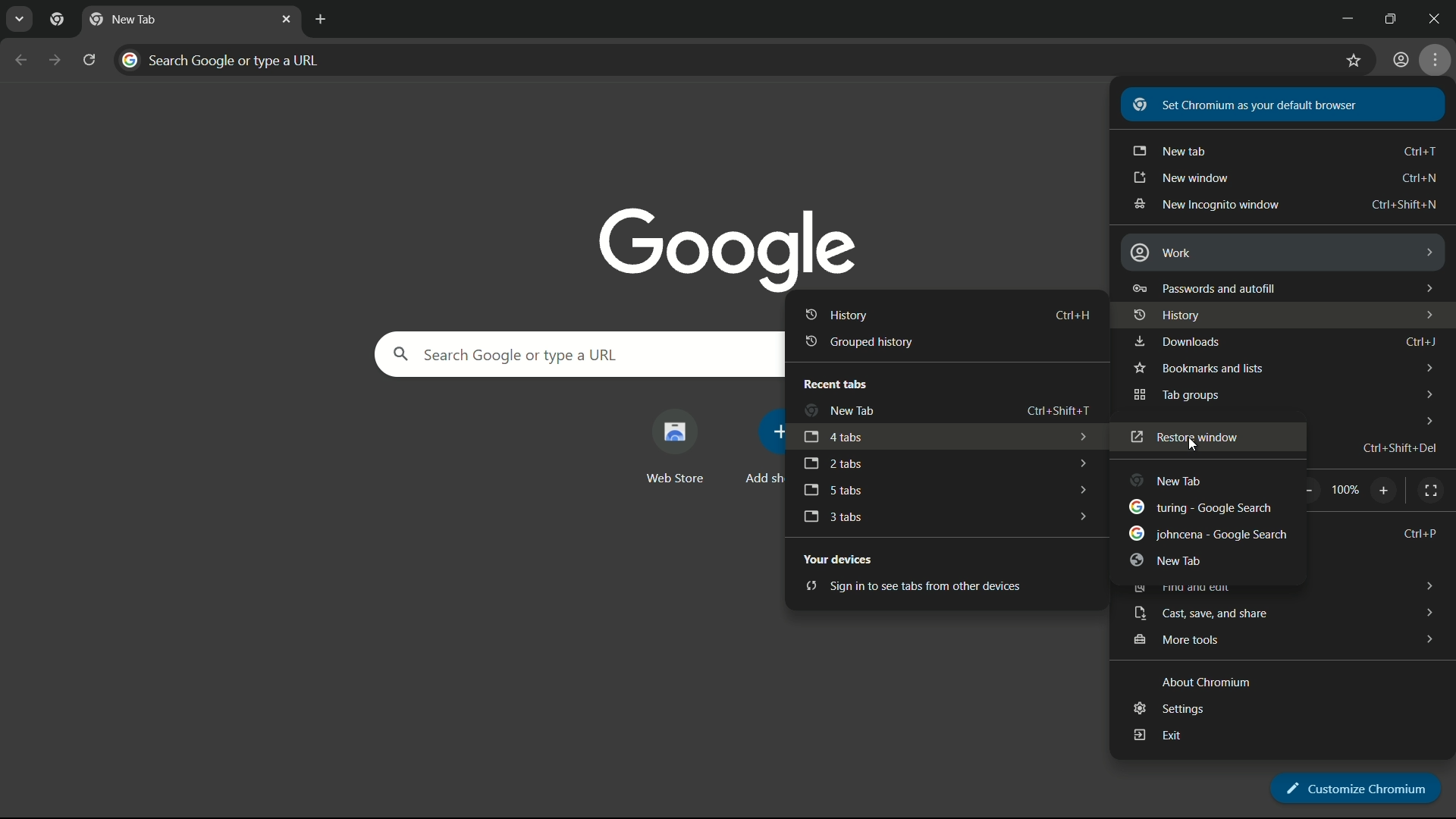 The height and width of the screenshot is (819, 1456). I want to click on tab groups, so click(1175, 397).